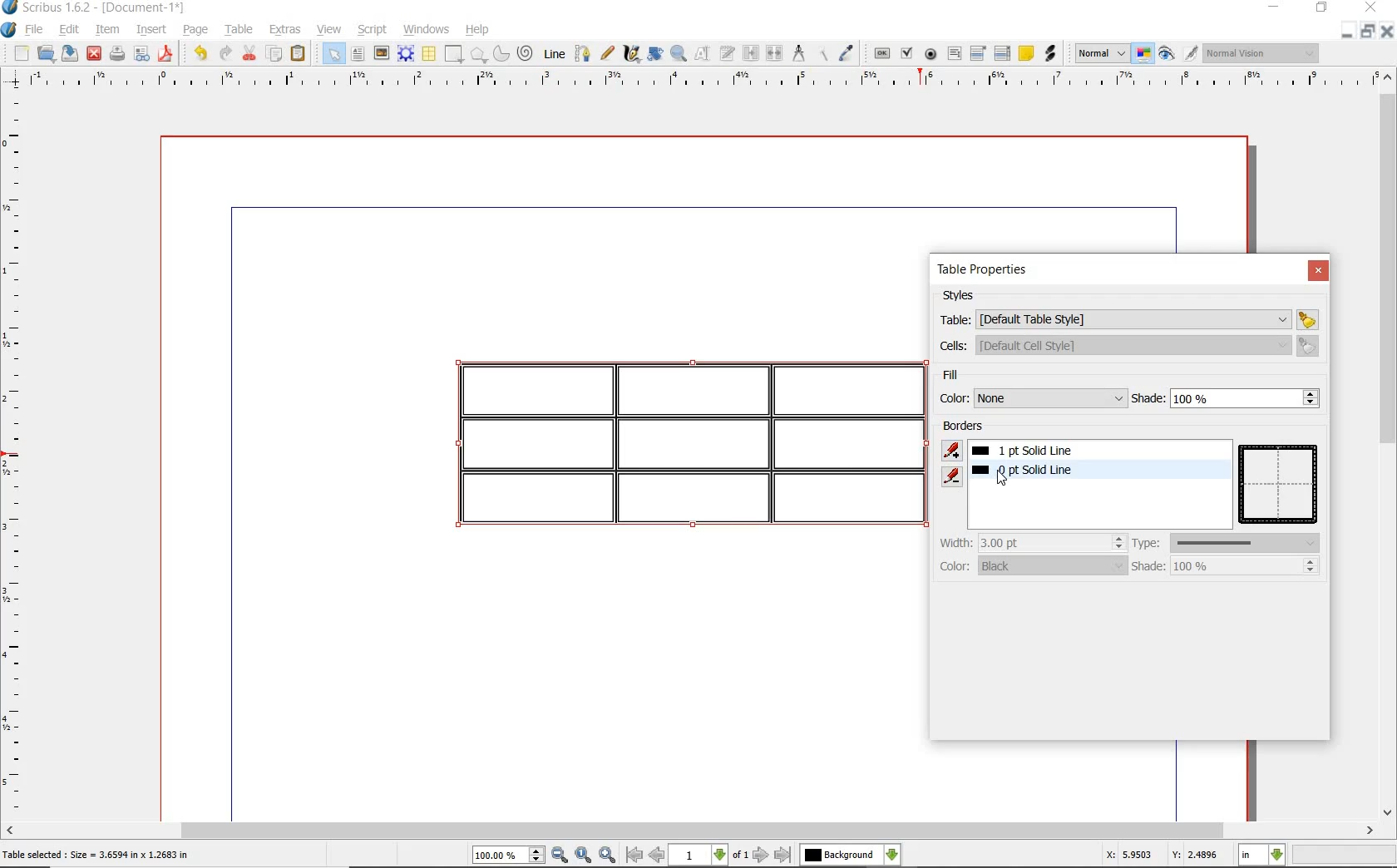 This screenshot has height=868, width=1397. What do you see at coordinates (1030, 398) in the screenshot?
I see `color` at bounding box center [1030, 398].